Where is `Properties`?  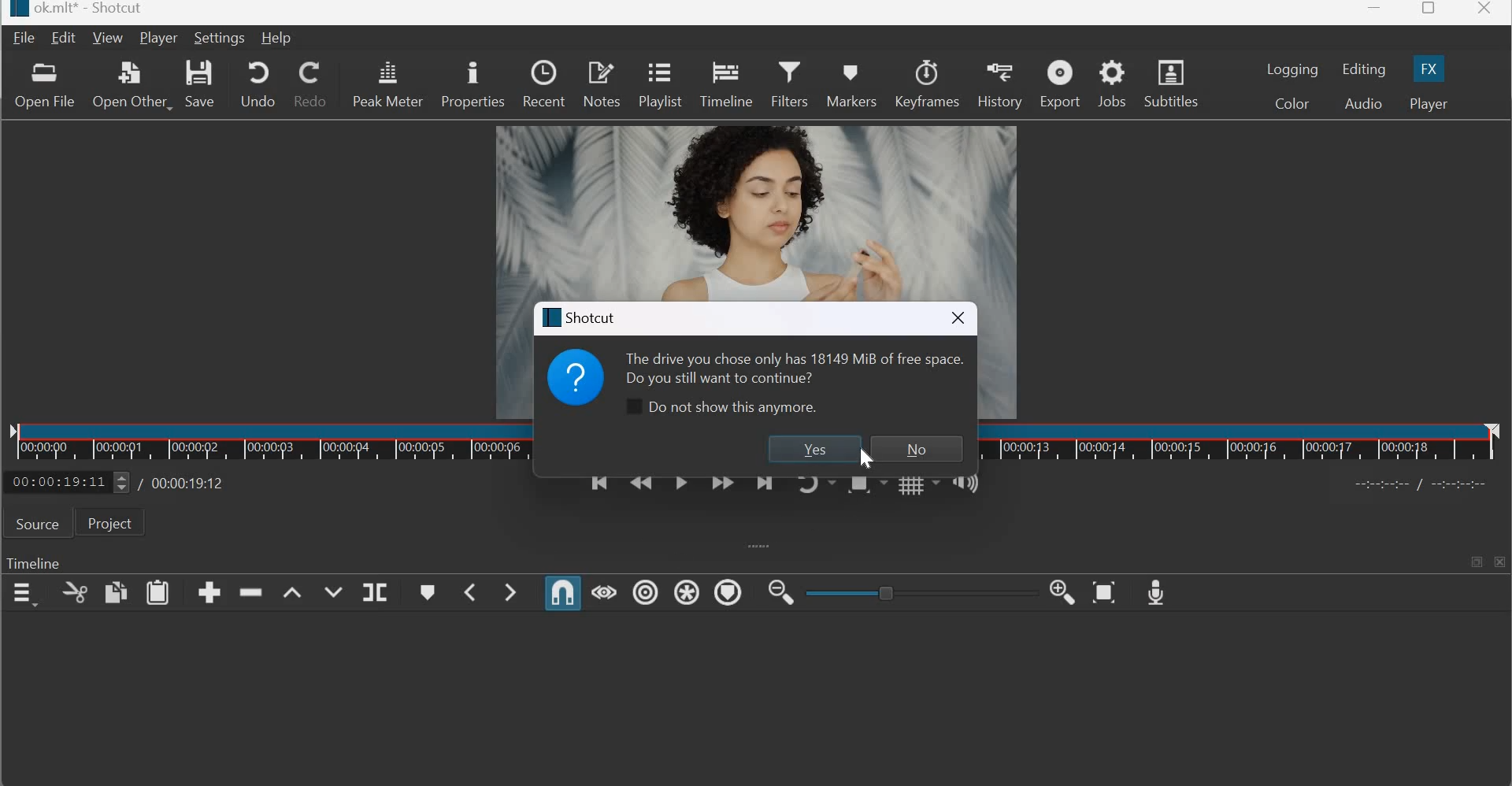 Properties is located at coordinates (473, 84).